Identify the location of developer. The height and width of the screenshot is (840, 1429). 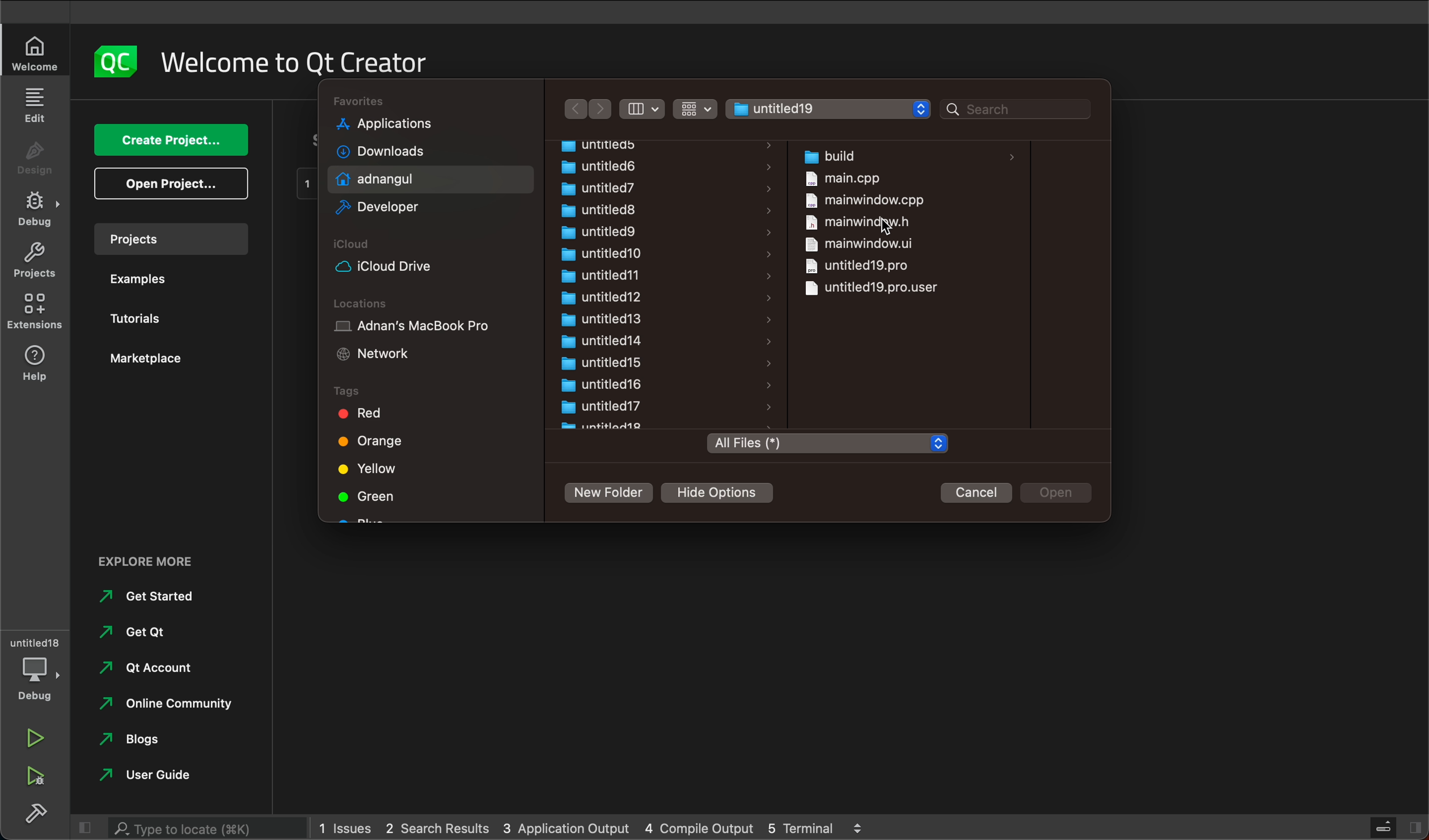
(391, 208).